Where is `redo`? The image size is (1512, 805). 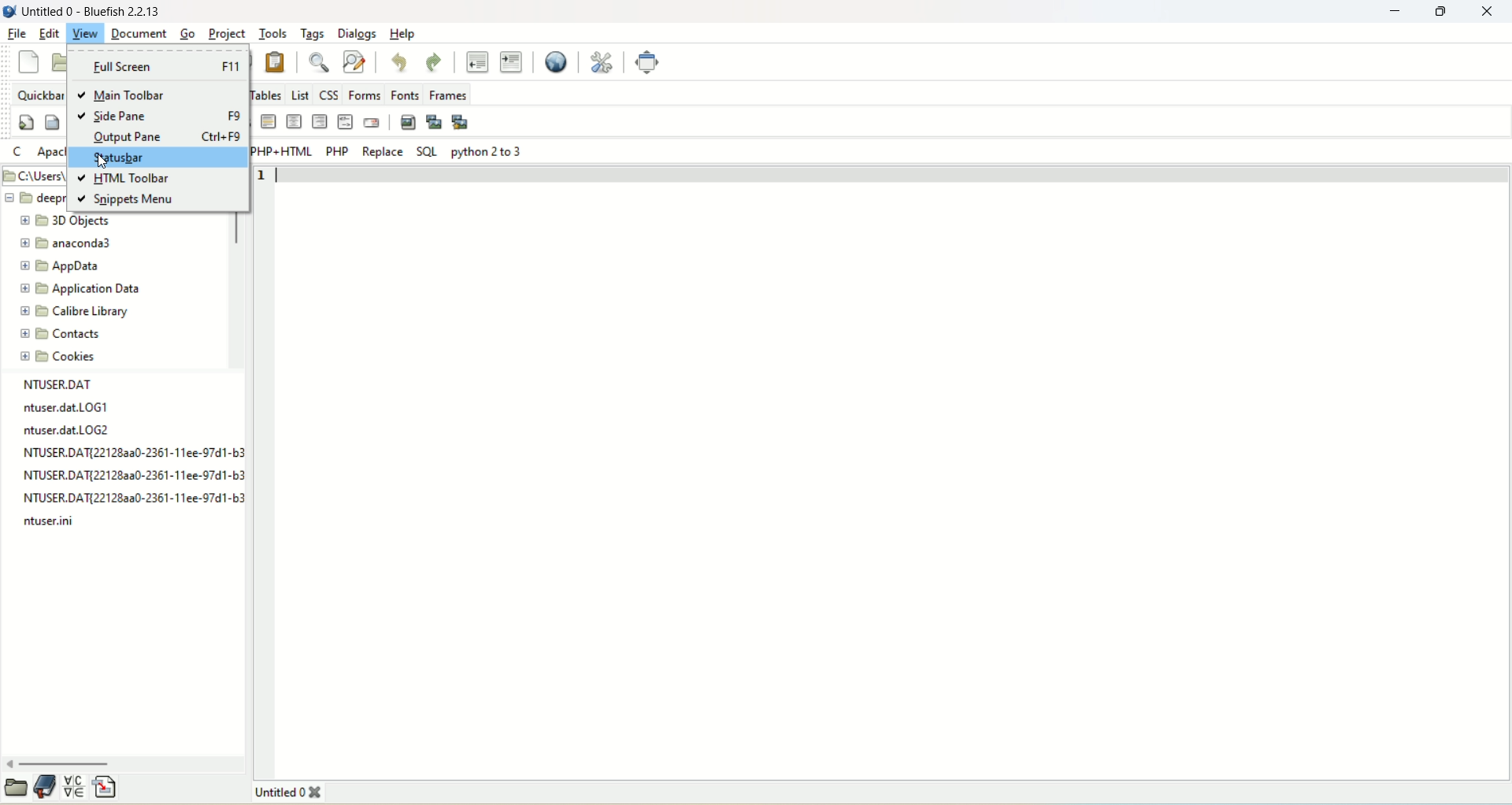 redo is located at coordinates (435, 61).